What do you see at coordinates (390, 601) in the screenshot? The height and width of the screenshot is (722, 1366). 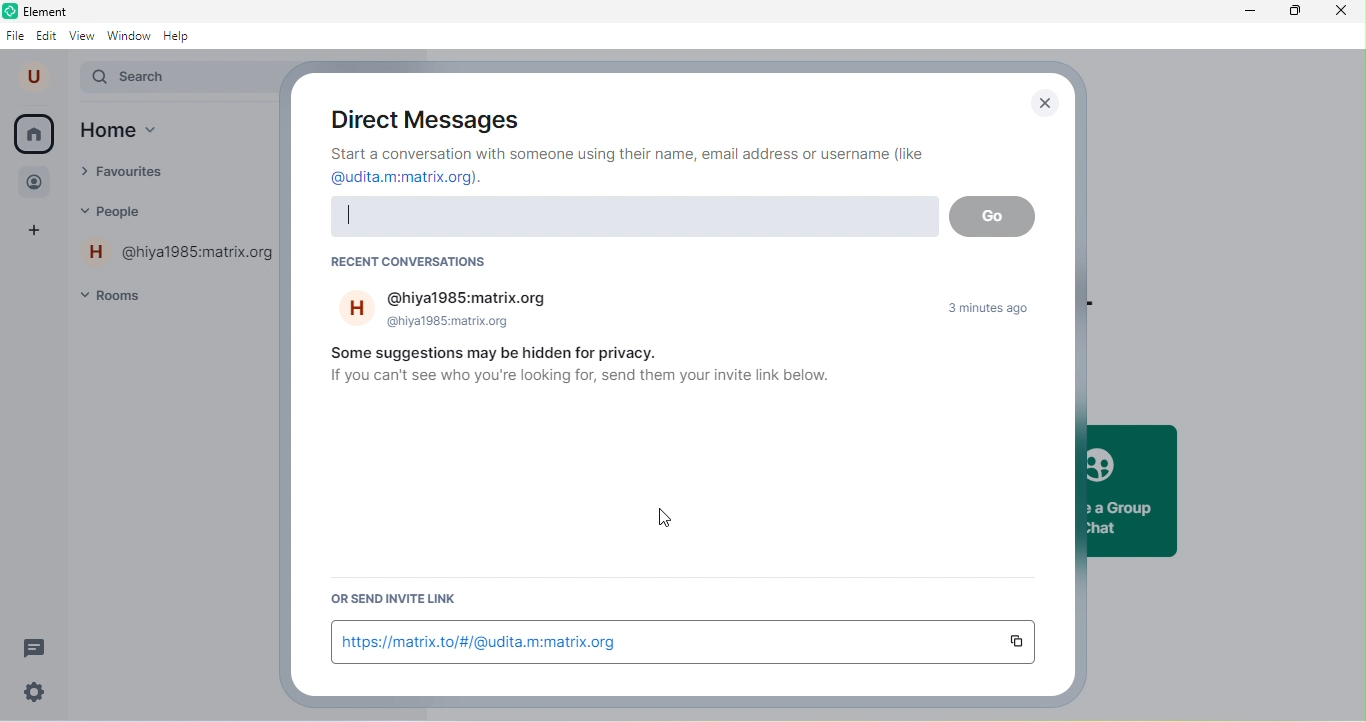 I see `or send invite link` at bounding box center [390, 601].